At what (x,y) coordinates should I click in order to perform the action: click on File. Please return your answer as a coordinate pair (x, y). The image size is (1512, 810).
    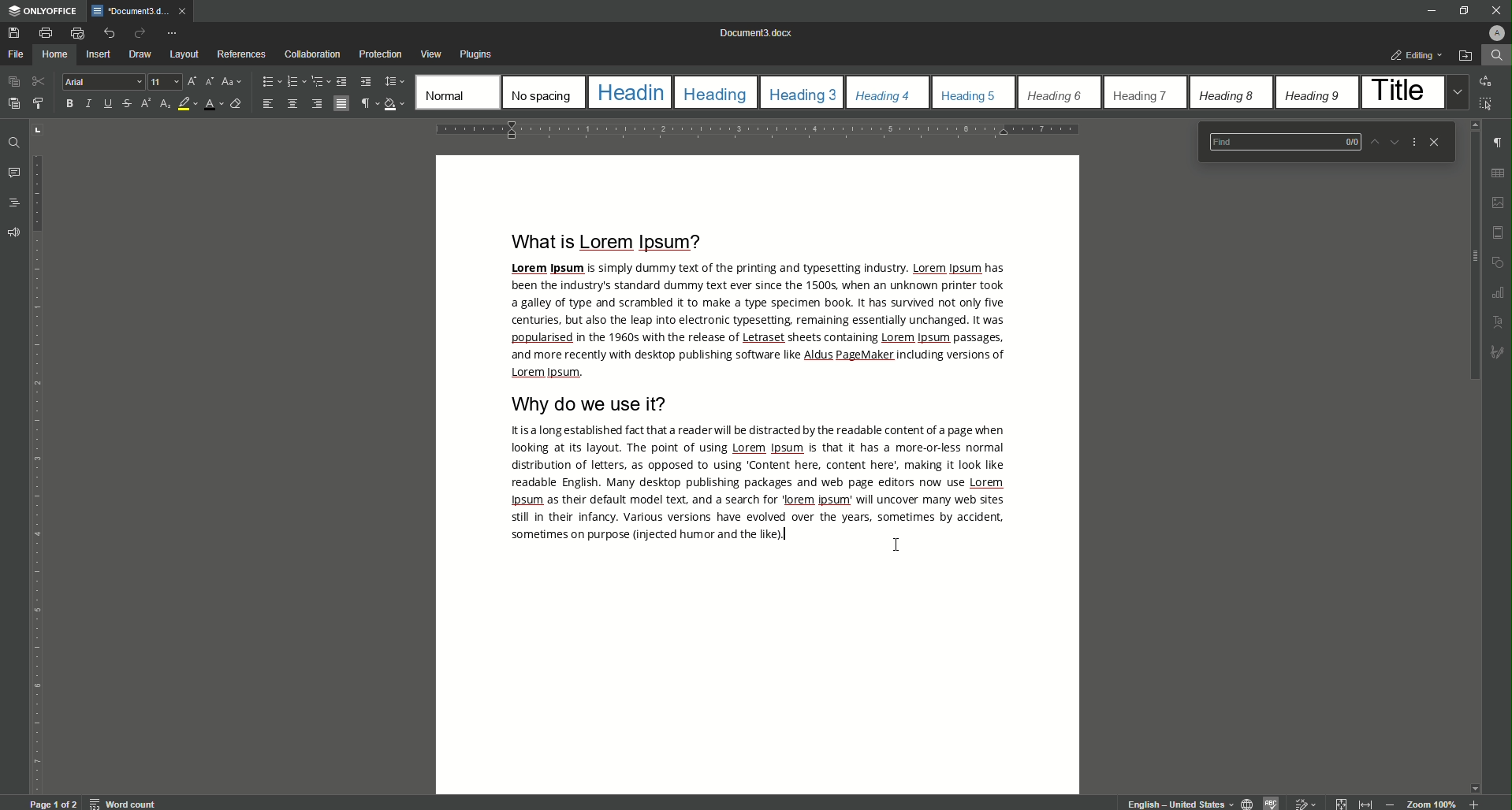
    Looking at the image, I should click on (18, 54).